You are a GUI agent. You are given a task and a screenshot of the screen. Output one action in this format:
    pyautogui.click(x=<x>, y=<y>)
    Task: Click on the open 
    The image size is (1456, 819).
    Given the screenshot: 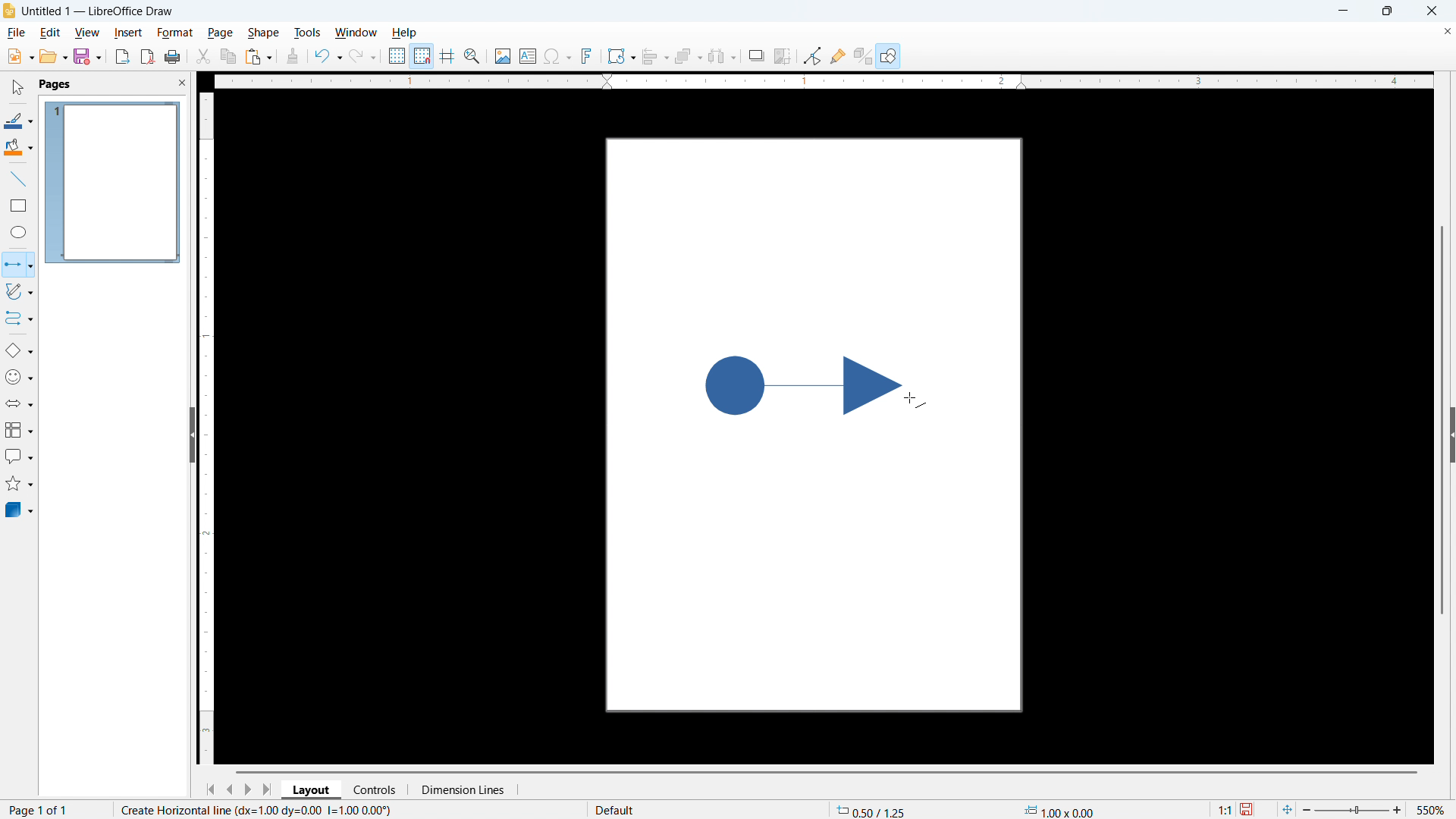 What is the action you would take?
    pyautogui.click(x=53, y=56)
    